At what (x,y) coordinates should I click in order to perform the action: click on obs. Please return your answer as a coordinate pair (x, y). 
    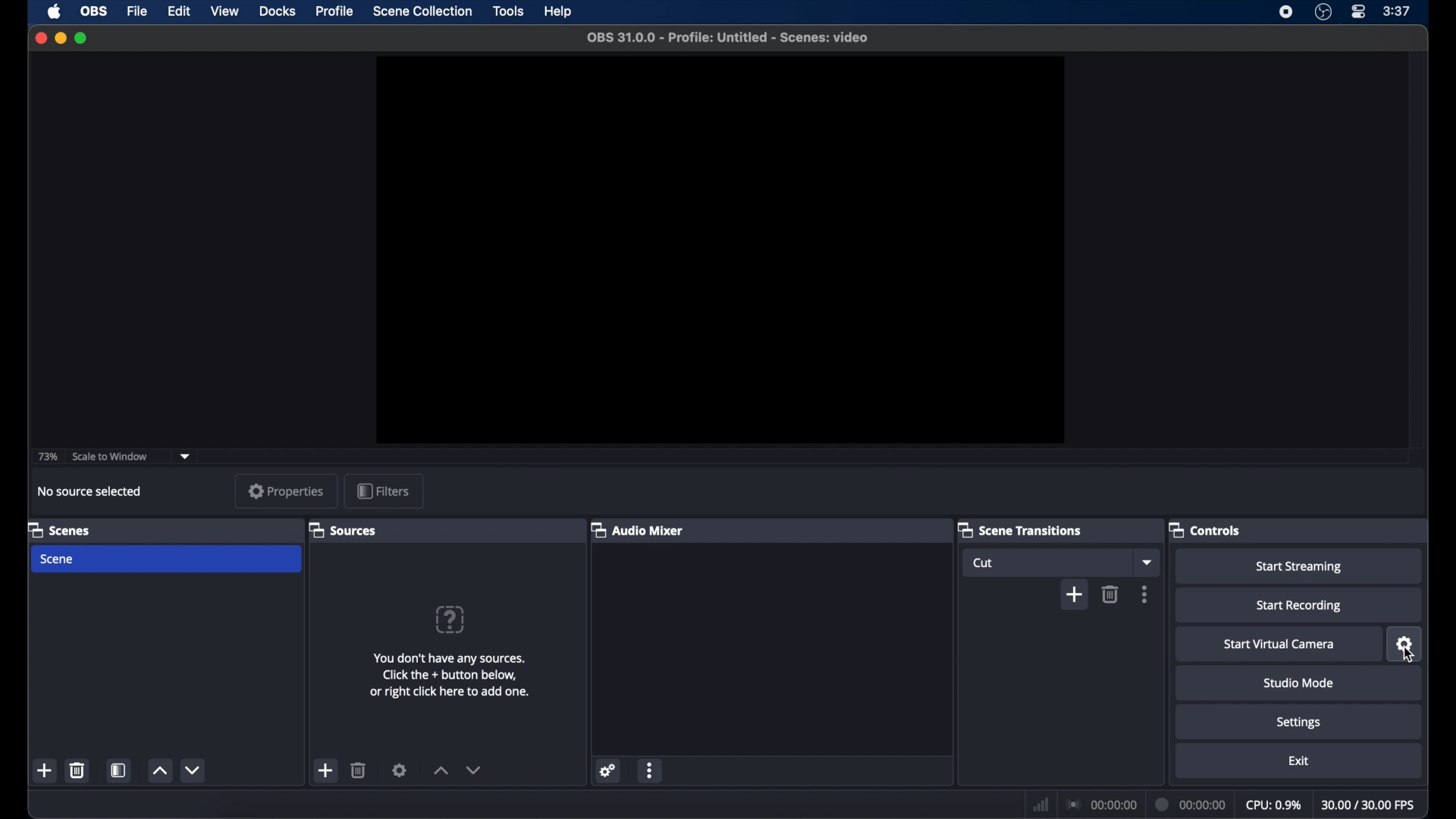
    Looking at the image, I should click on (94, 11).